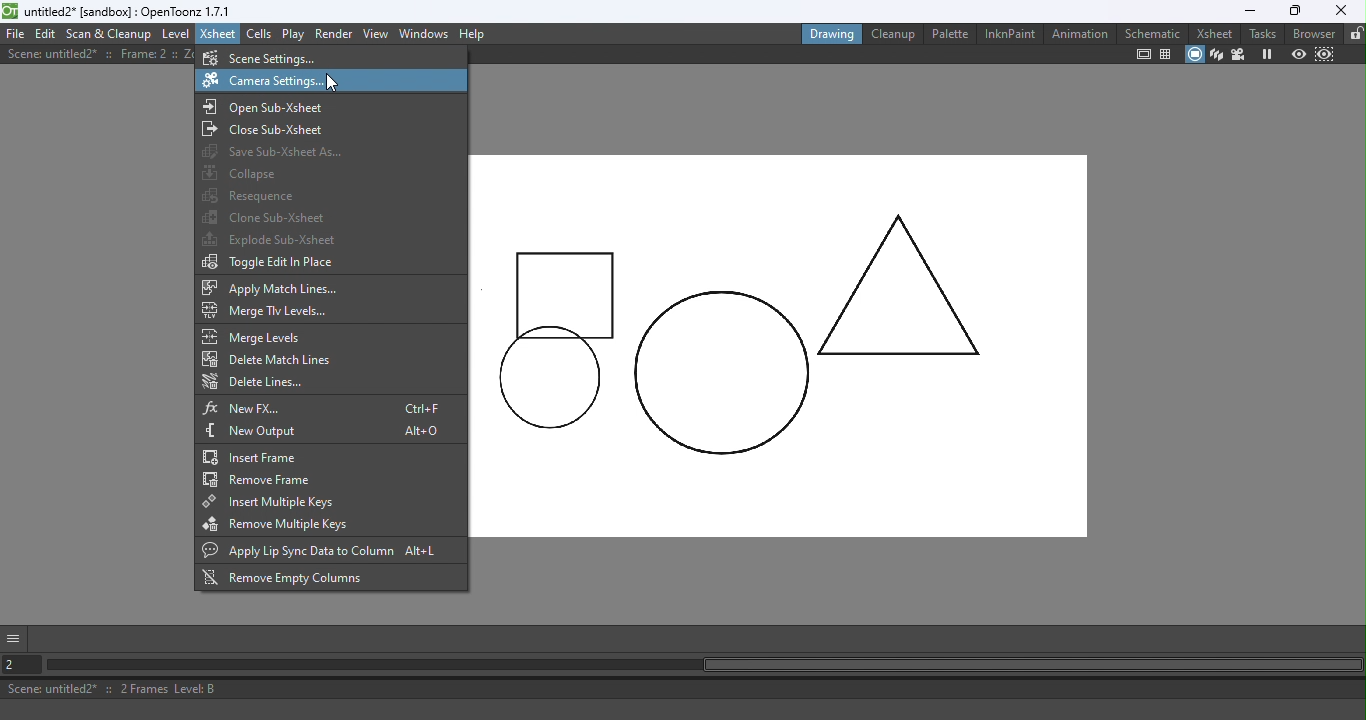 This screenshot has height=720, width=1366. Describe the element at coordinates (278, 82) in the screenshot. I see `Camera settings` at that location.